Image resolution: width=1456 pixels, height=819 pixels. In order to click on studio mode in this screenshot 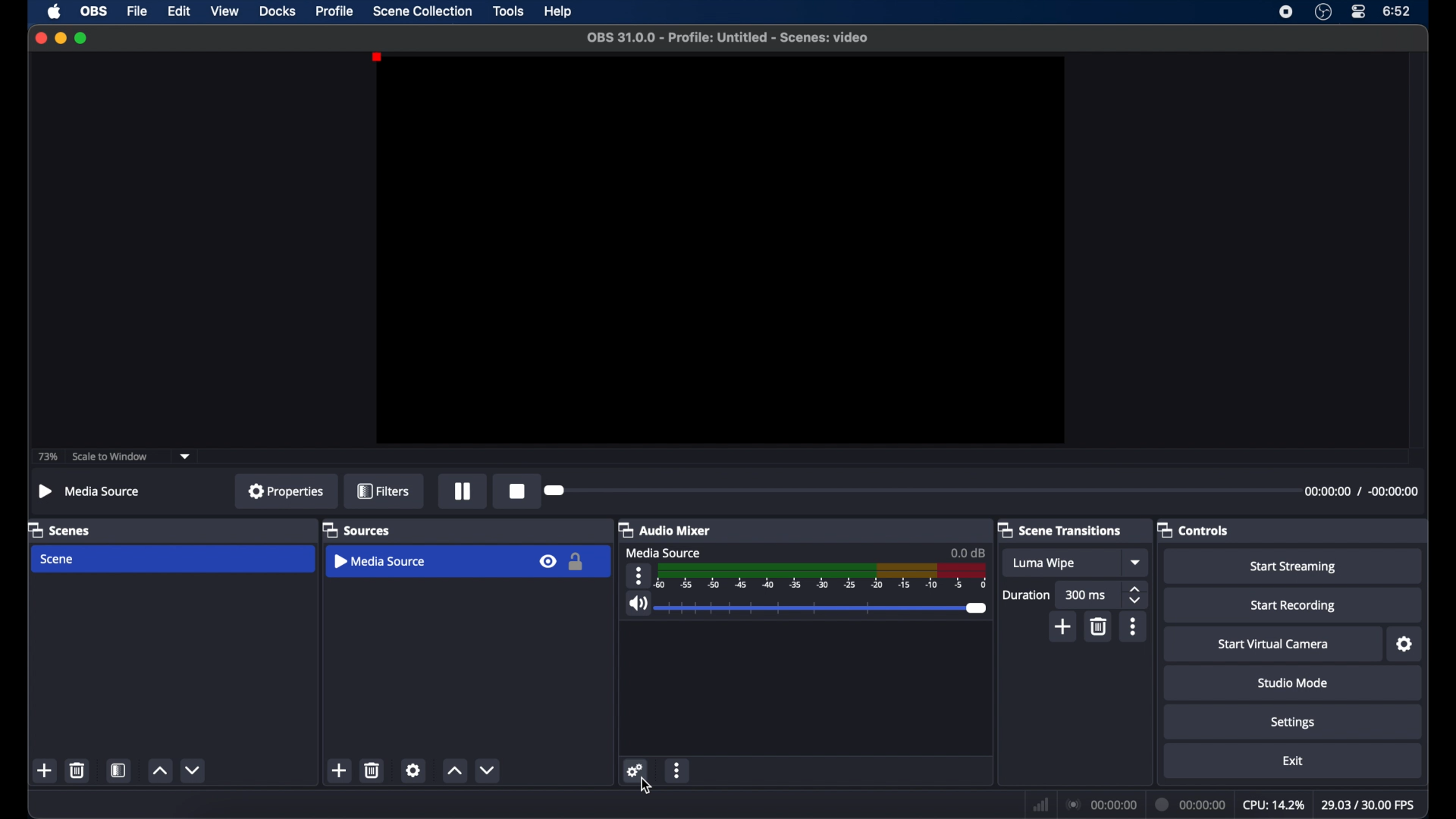, I will do `click(1292, 683)`.